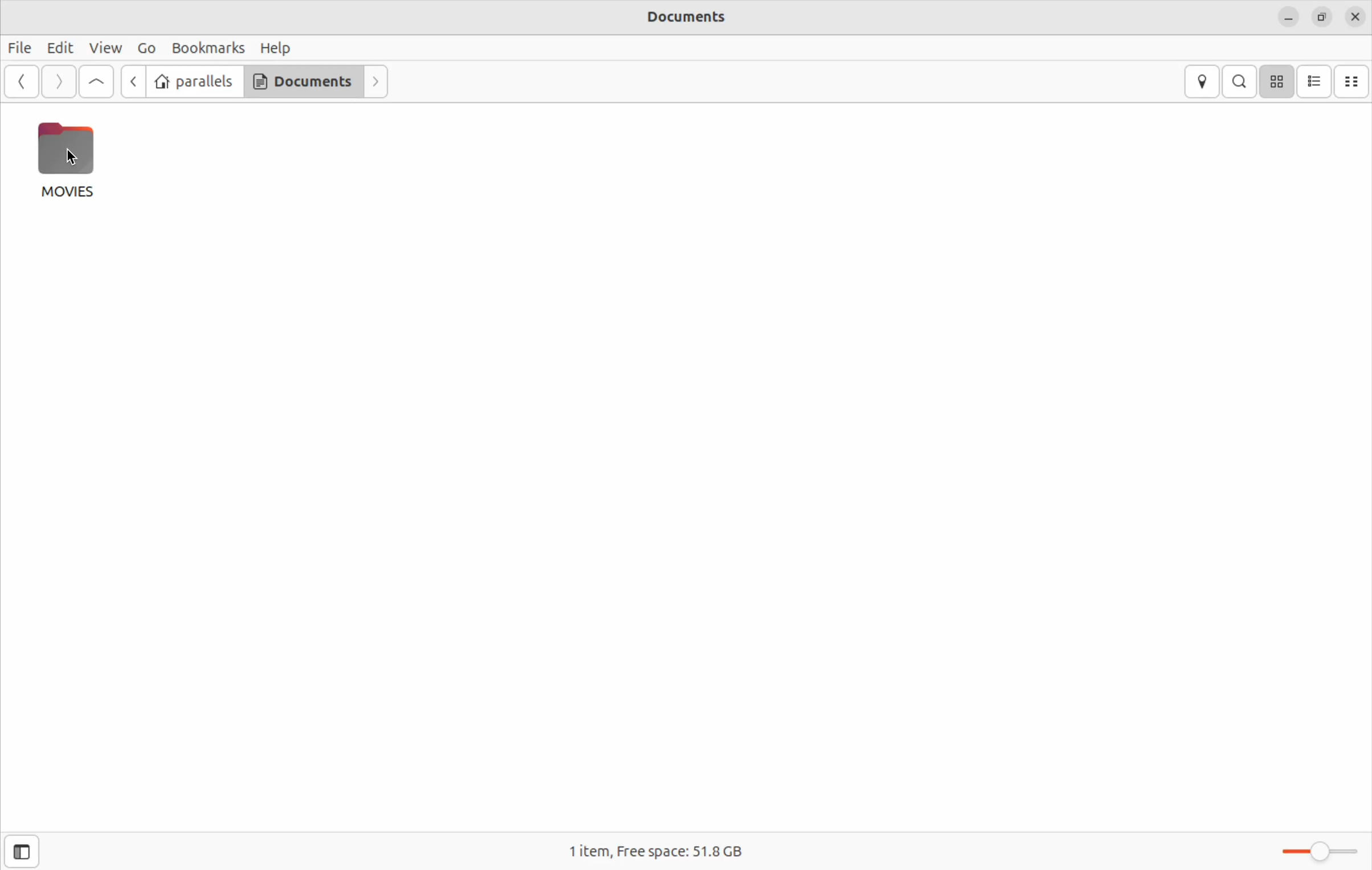  I want to click on View, so click(107, 46).